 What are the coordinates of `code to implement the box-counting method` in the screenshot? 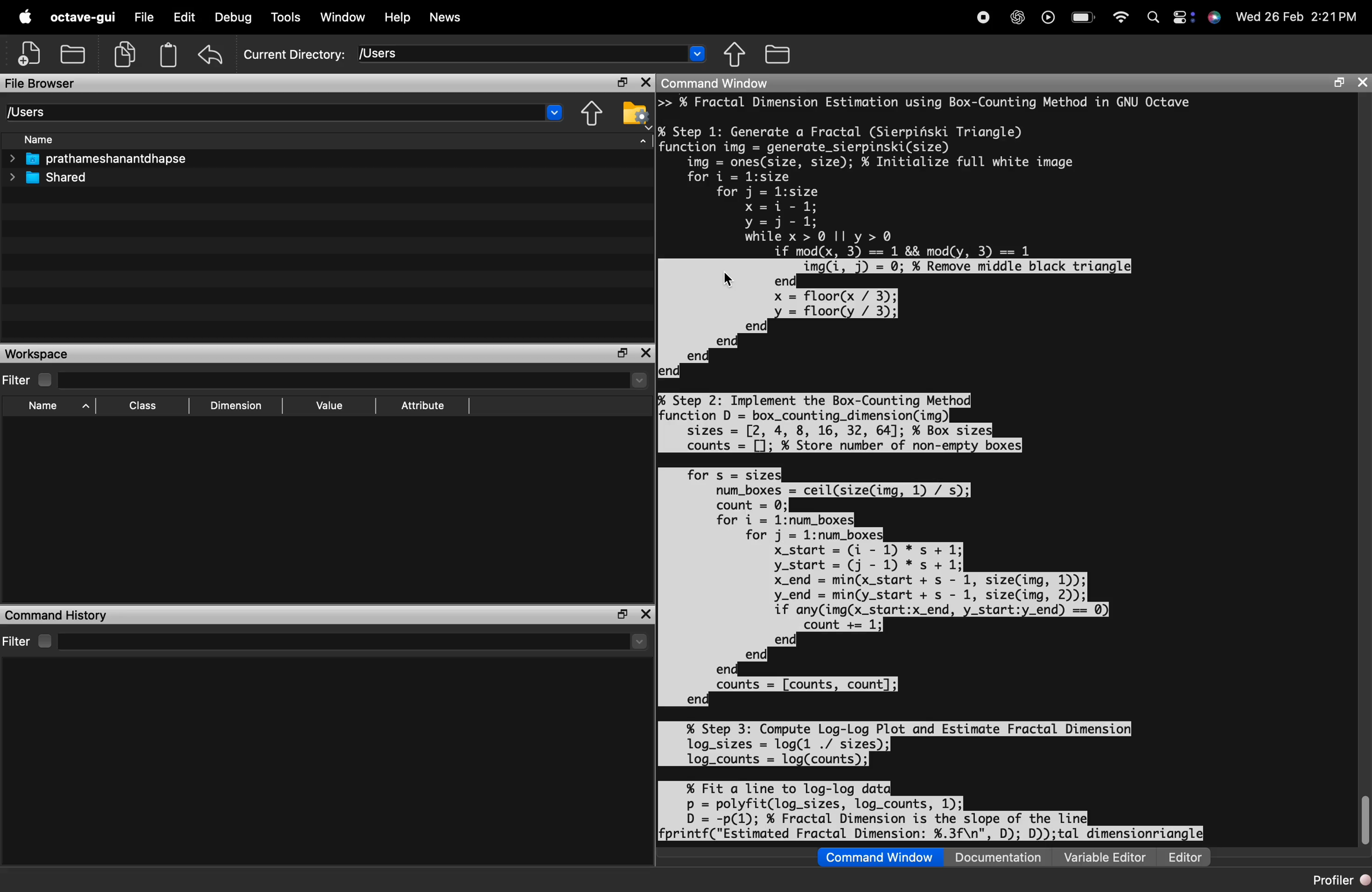 It's located at (925, 550).